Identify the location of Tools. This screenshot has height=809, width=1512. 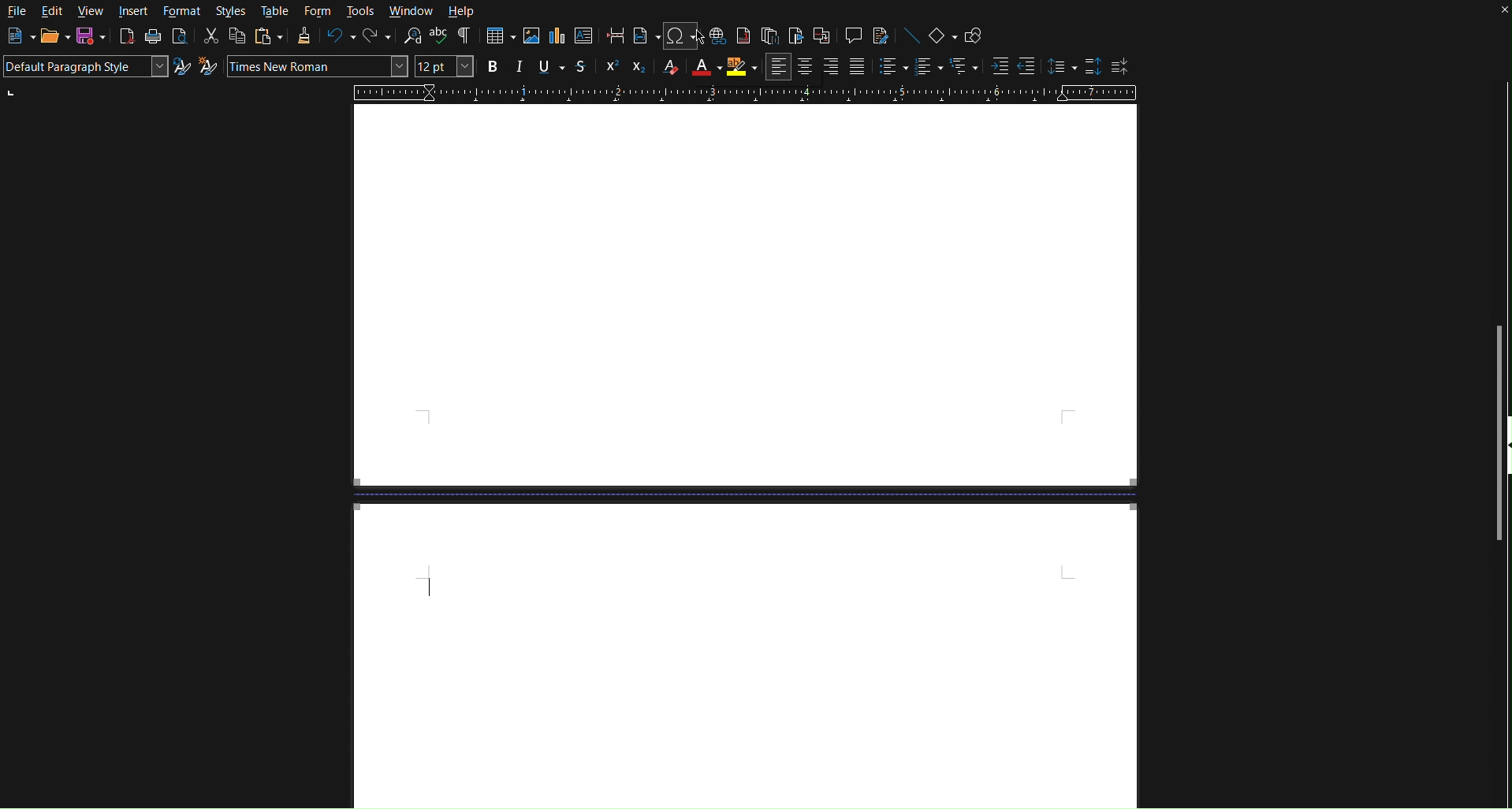
(359, 11).